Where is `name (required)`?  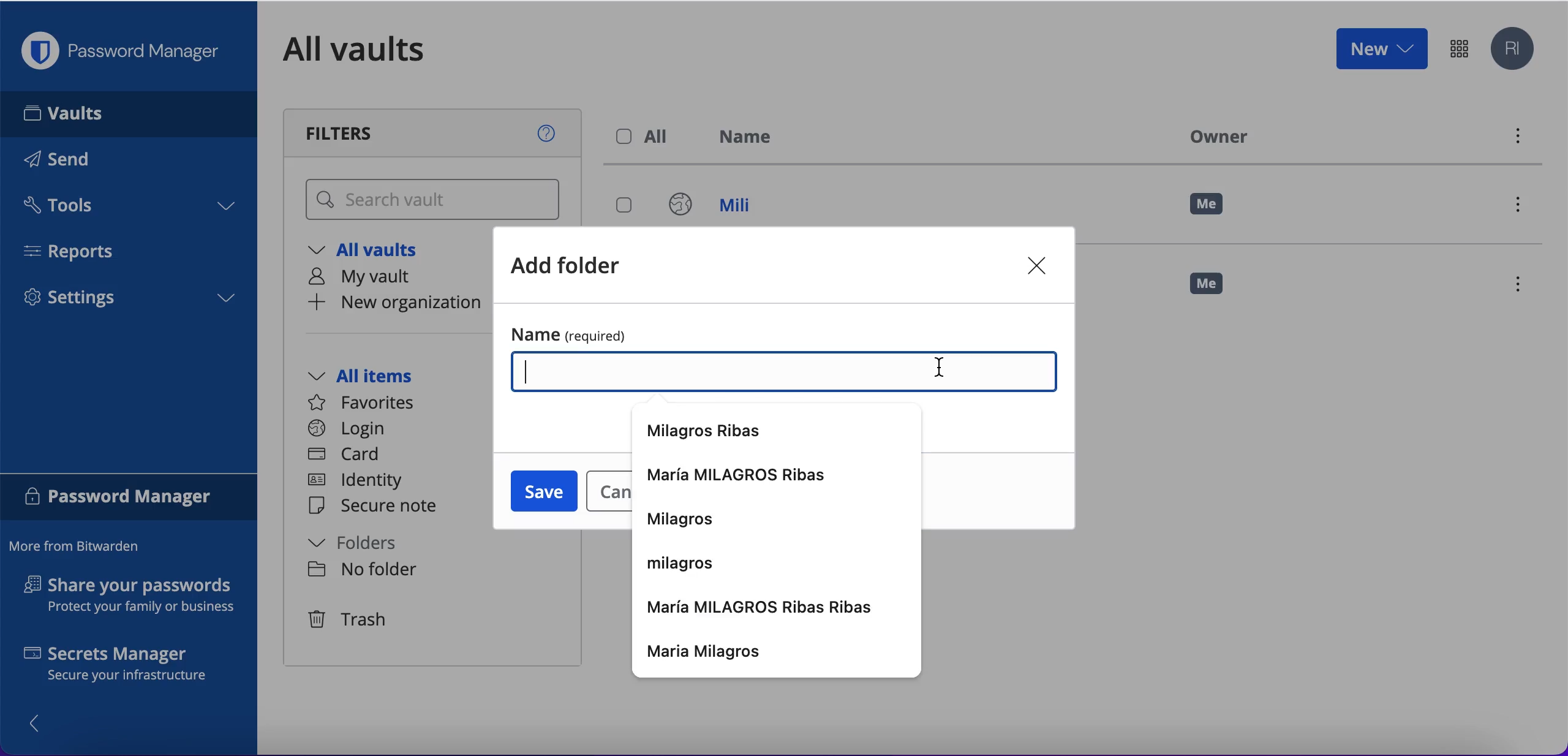
name (required) is located at coordinates (780, 333).